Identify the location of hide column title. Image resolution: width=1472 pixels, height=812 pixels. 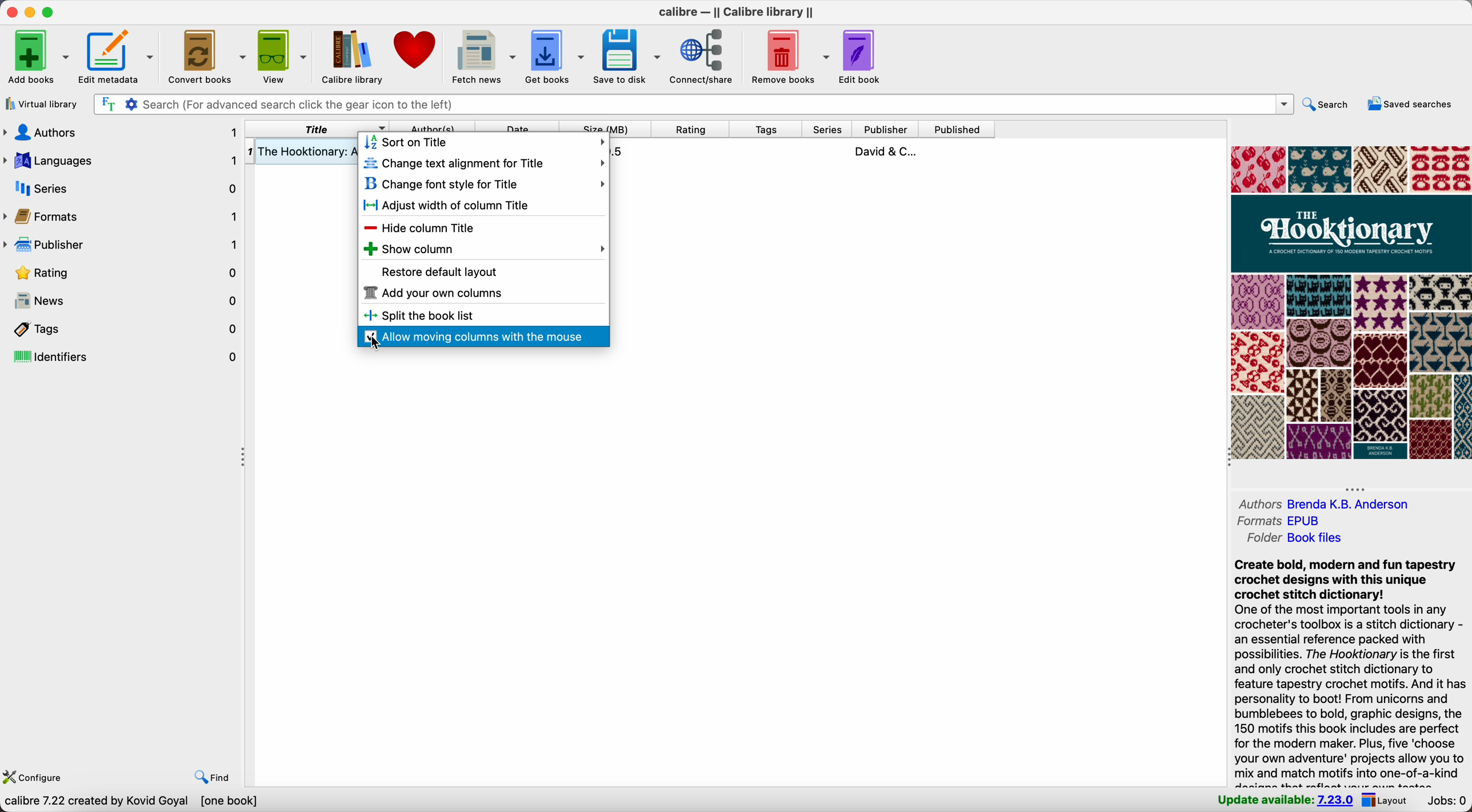
(421, 228).